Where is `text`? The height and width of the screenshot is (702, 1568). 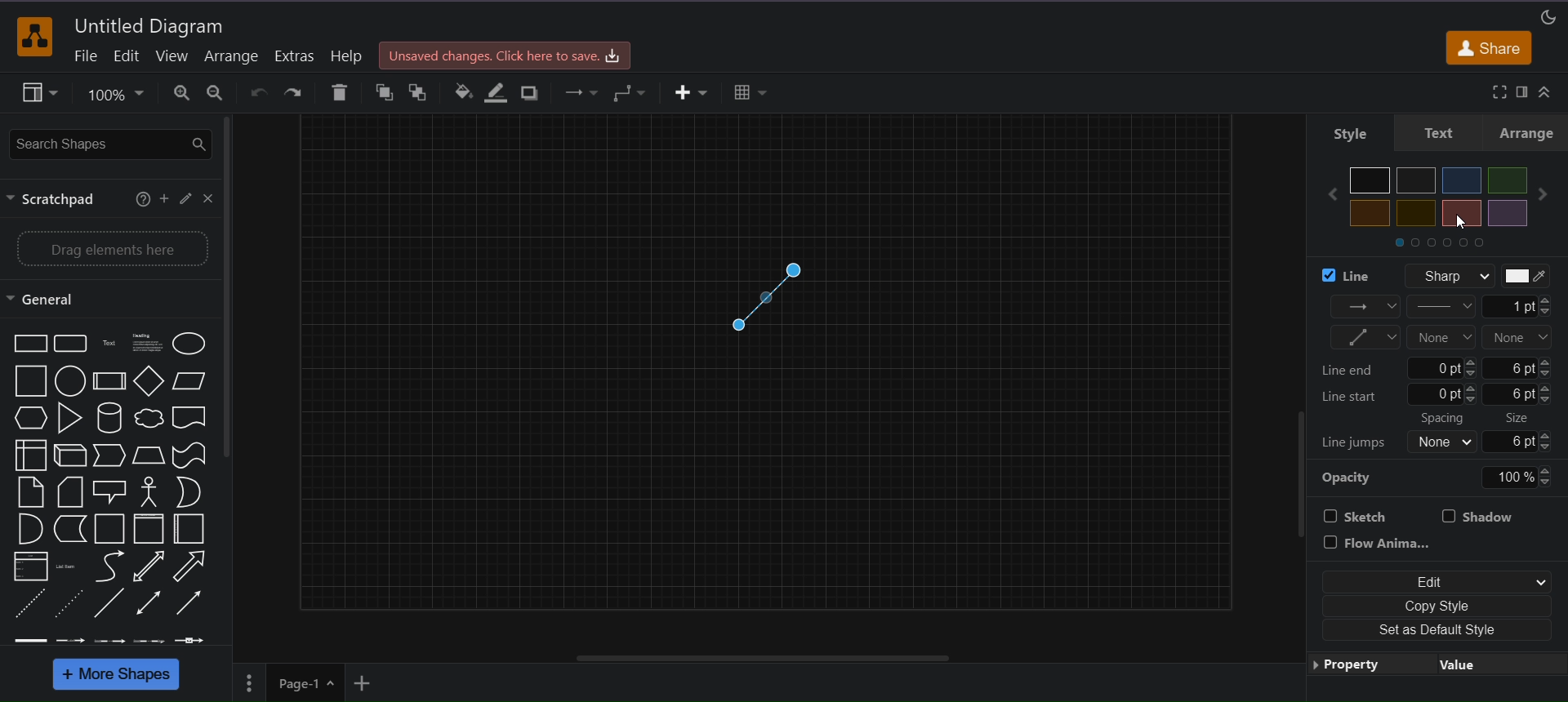
text is located at coordinates (1446, 136).